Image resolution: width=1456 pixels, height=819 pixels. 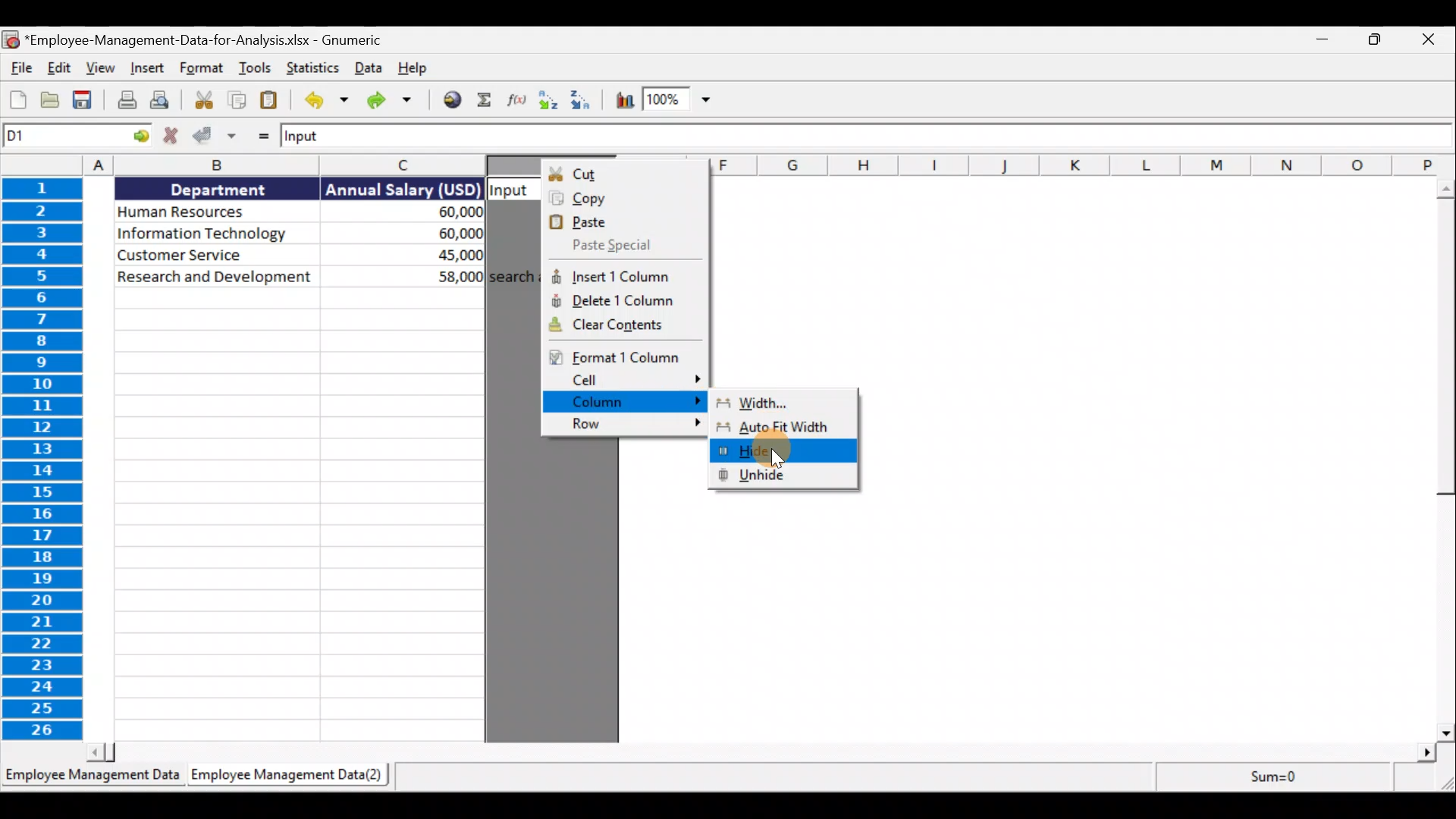 What do you see at coordinates (149, 65) in the screenshot?
I see `Insert` at bounding box center [149, 65].